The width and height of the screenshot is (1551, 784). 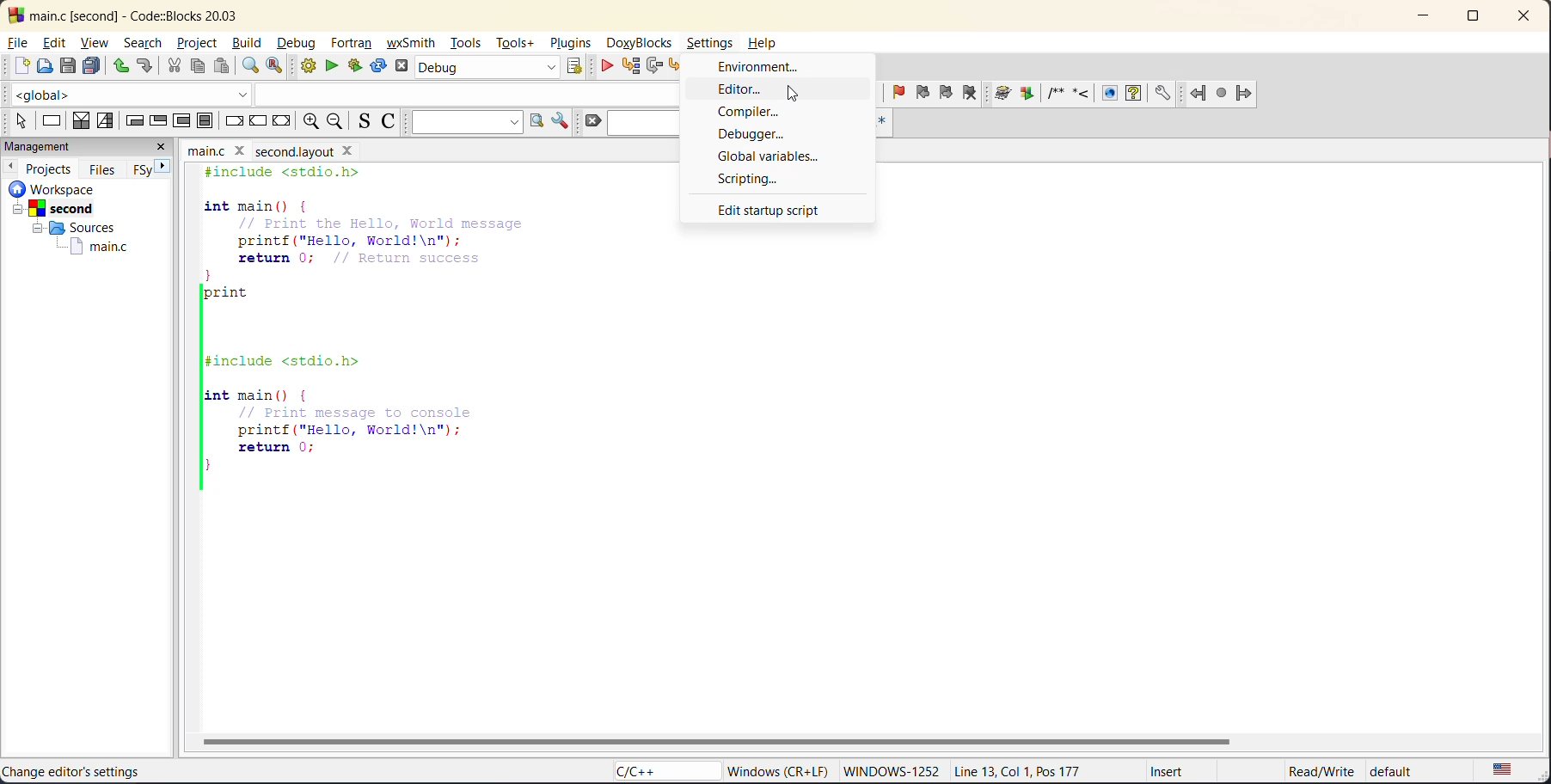 What do you see at coordinates (800, 91) in the screenshot?
I see `cursor` at bounding box center [800, 91].